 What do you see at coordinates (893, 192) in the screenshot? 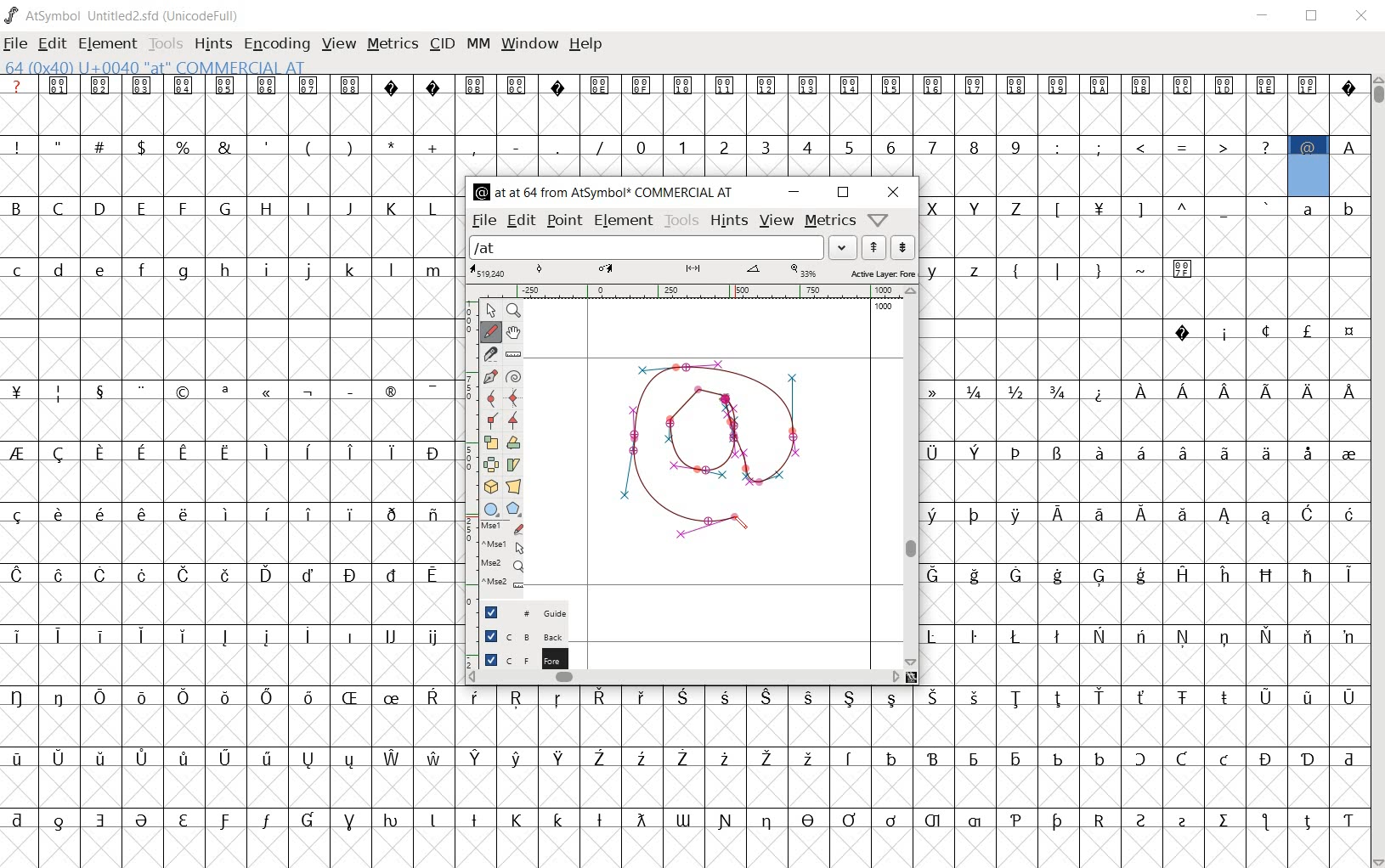
I see `close` at bounding box center [893, 192].